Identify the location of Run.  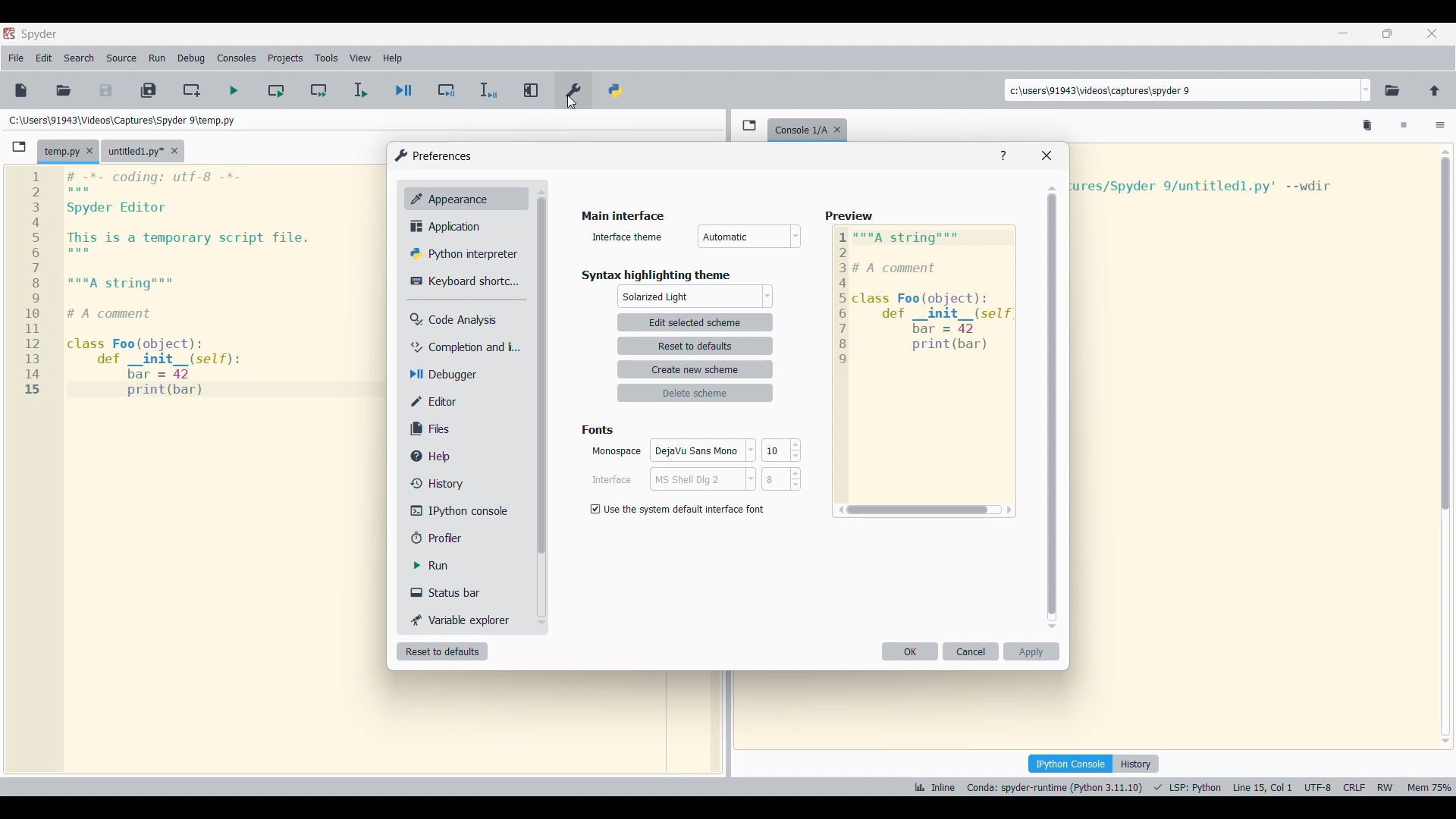
(466, 566).